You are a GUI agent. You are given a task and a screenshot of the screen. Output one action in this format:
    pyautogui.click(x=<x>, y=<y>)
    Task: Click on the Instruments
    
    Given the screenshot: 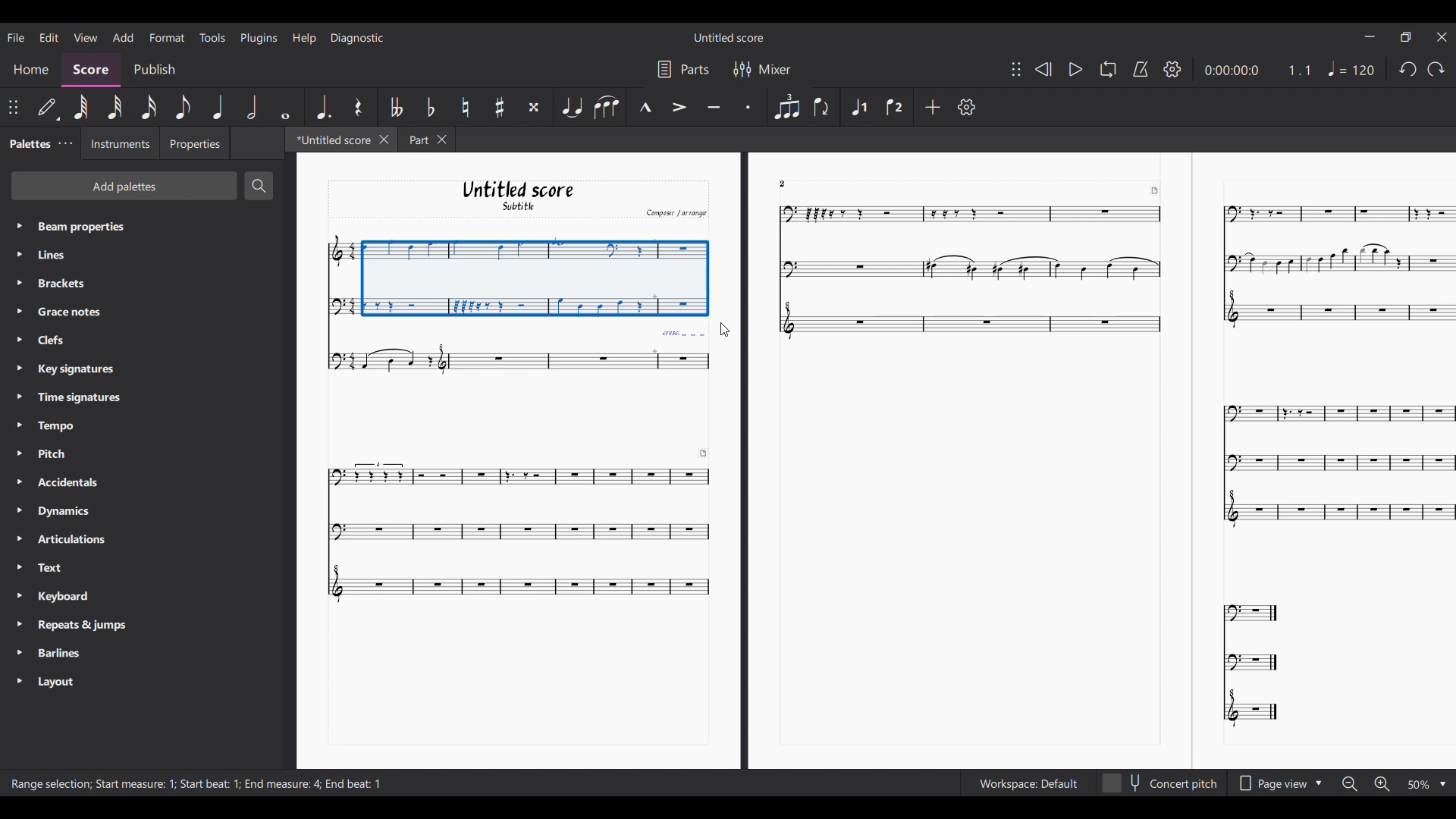 What is the action you would take?
    pyautogui.click(x=119, y=144)
    